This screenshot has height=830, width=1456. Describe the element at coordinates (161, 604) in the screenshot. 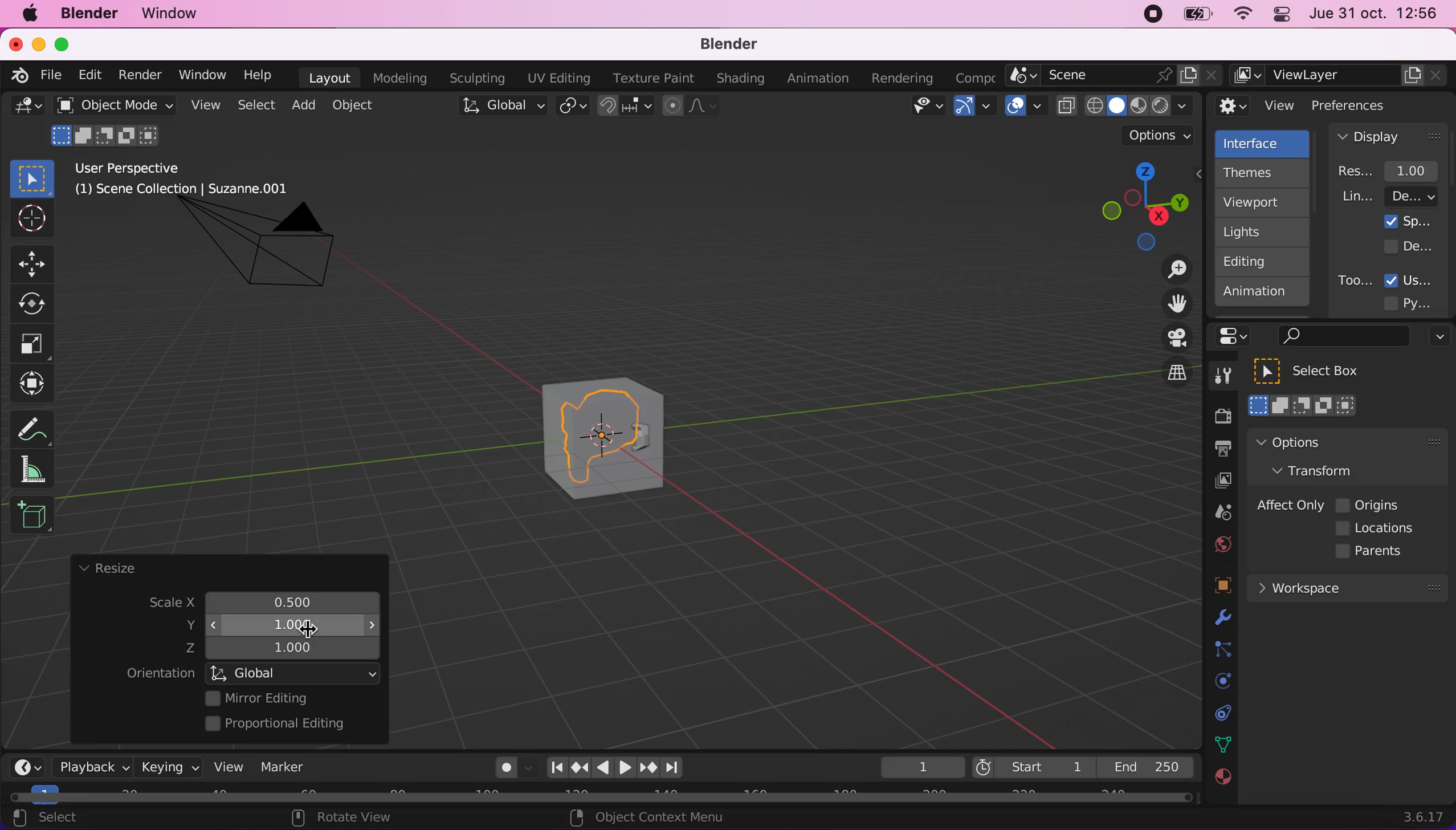

I see `scale` at that location.